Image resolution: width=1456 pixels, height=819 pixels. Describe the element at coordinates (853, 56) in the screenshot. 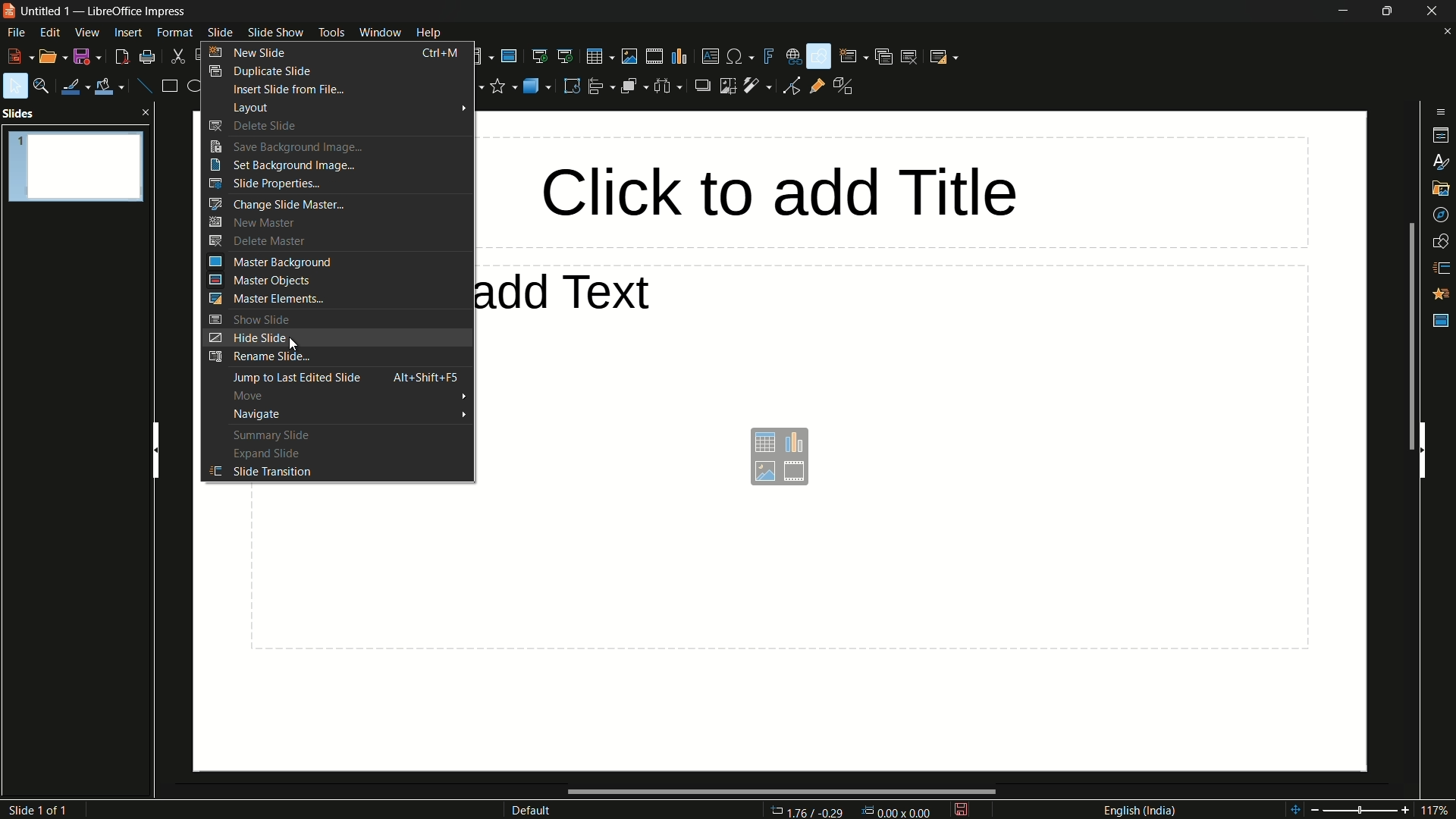

I see `new slide` at that location.